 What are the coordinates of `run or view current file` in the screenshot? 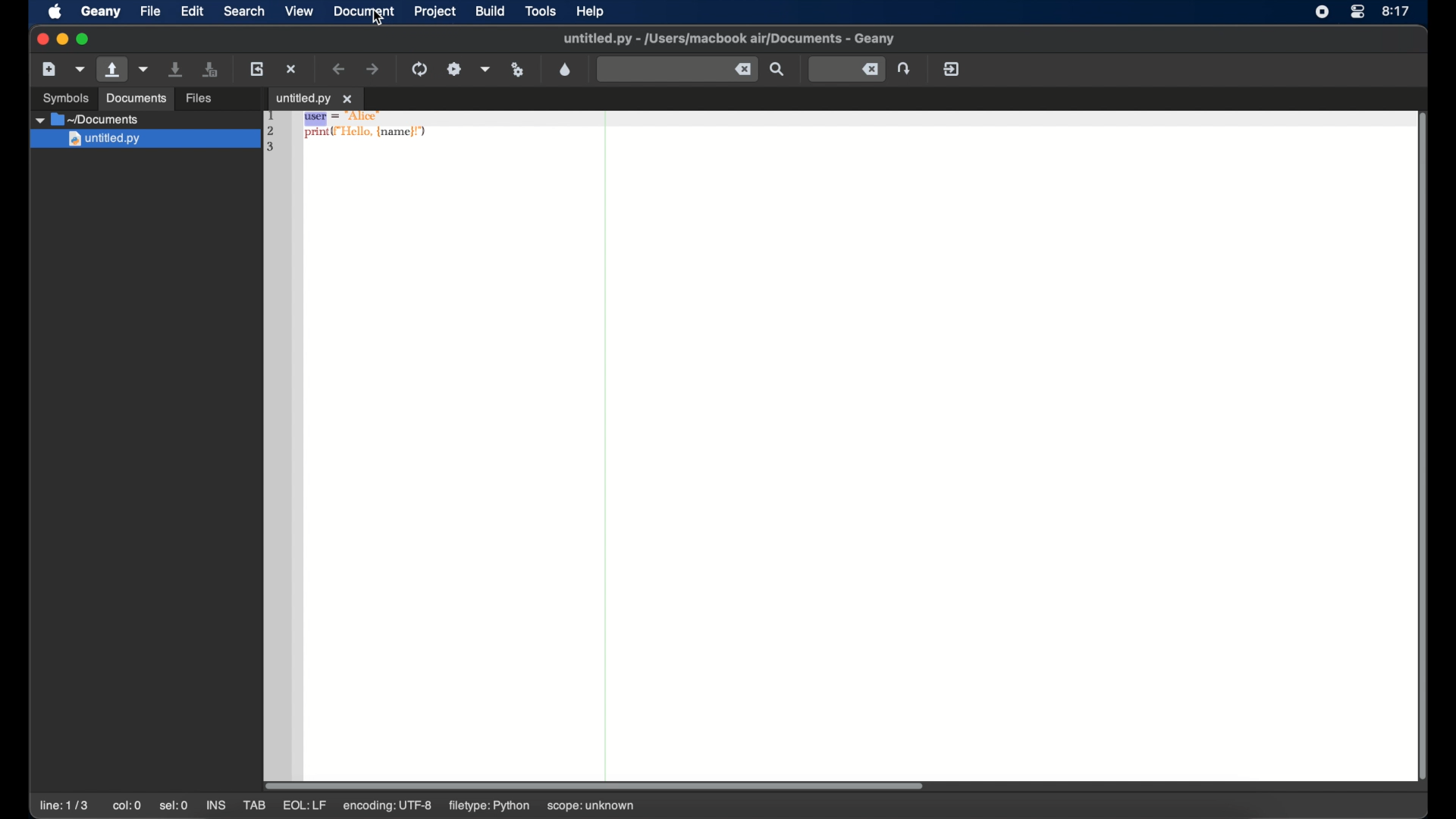 It's located at (519, 70).